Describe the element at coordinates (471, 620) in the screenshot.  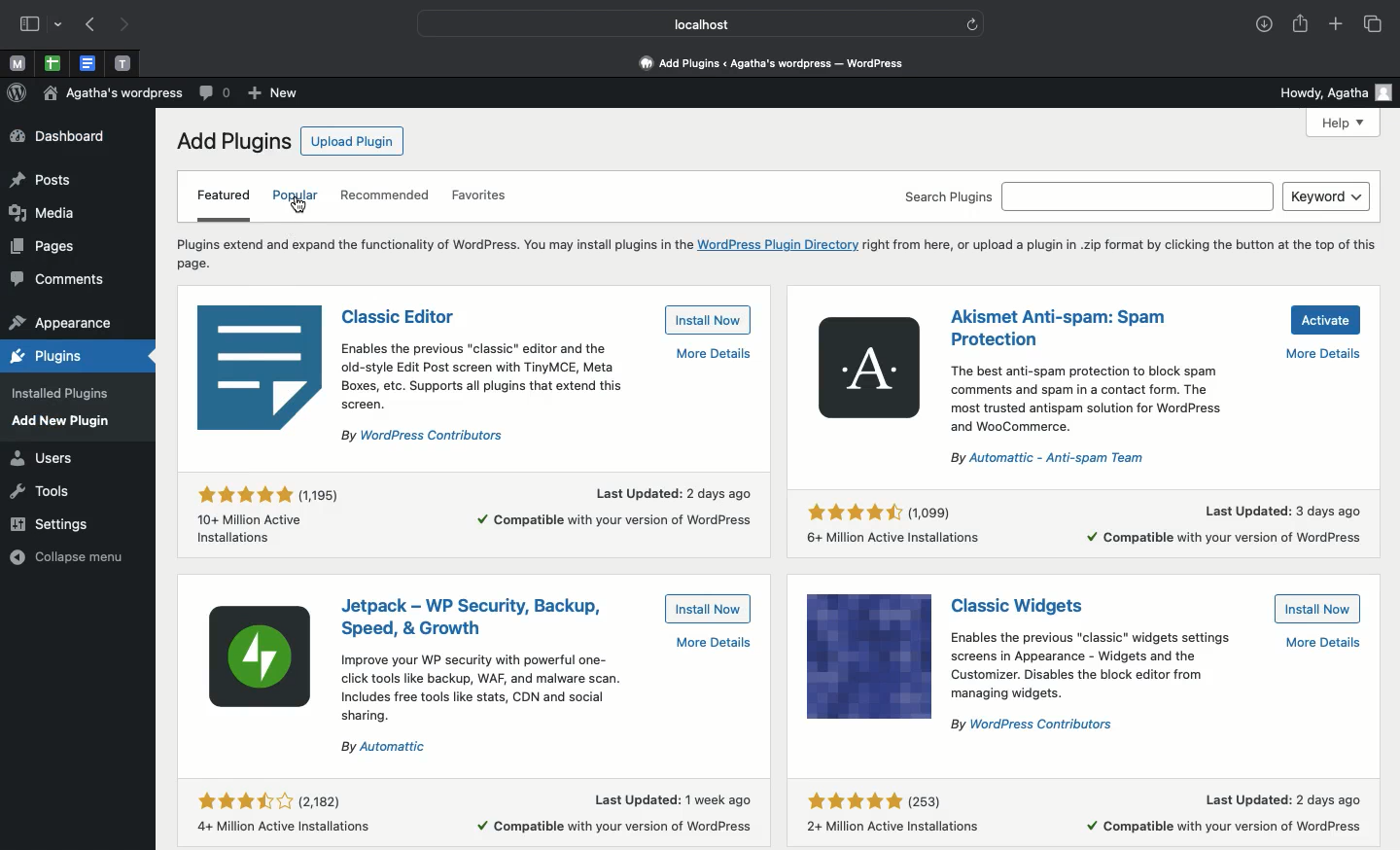
I see `Jetpack` at that location.